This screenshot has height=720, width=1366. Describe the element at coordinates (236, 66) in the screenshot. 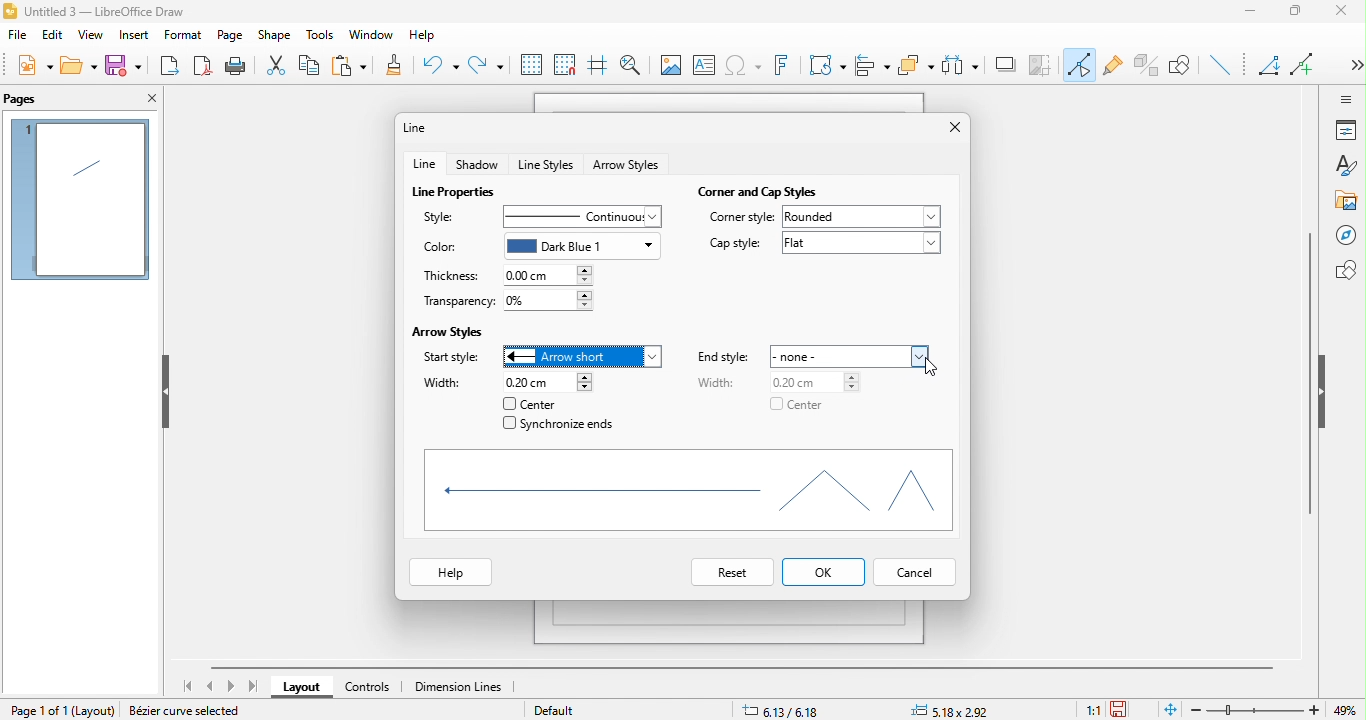

I see `print` at that location.